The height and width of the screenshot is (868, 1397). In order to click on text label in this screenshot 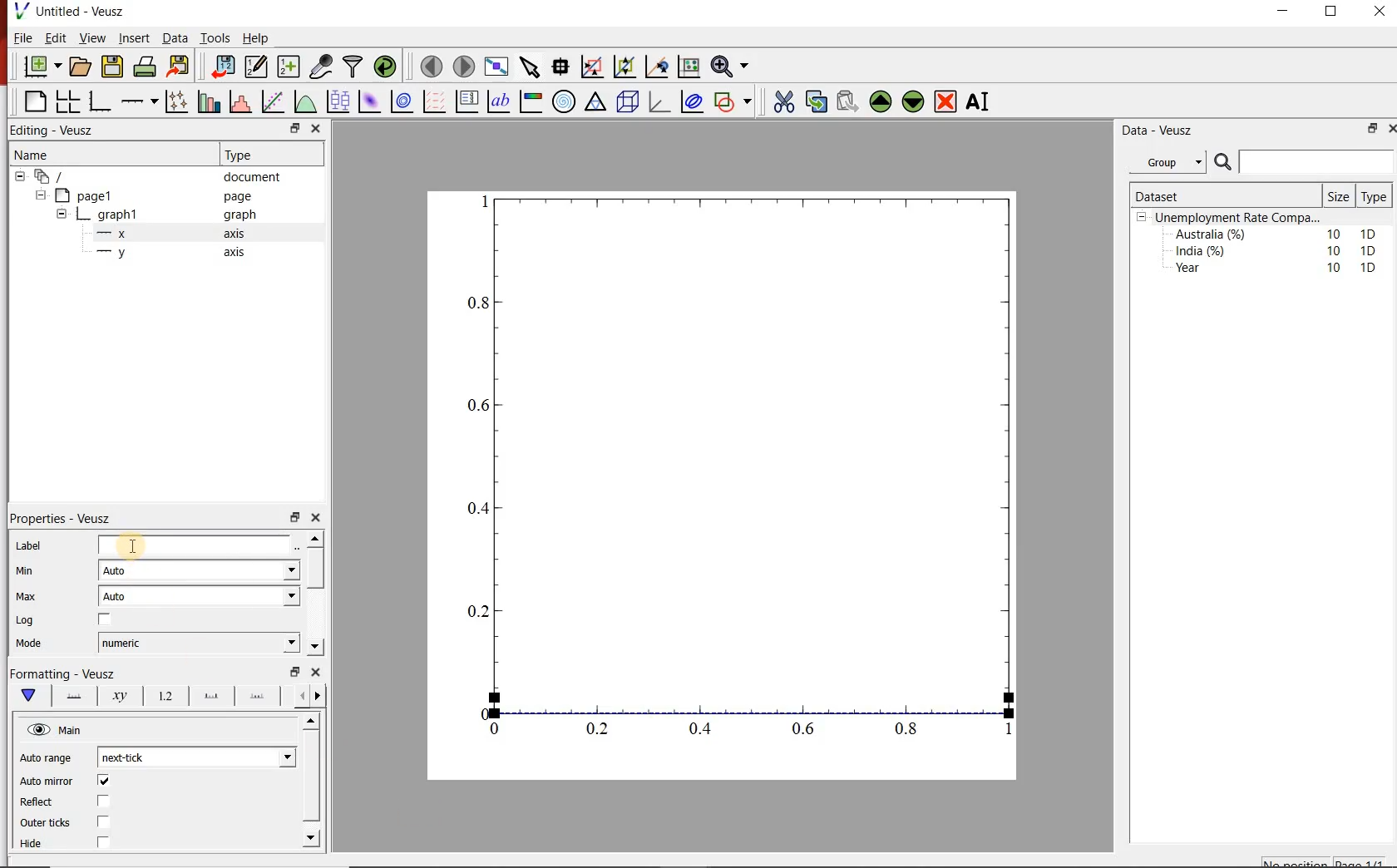, I will do `click(499, 101)`.